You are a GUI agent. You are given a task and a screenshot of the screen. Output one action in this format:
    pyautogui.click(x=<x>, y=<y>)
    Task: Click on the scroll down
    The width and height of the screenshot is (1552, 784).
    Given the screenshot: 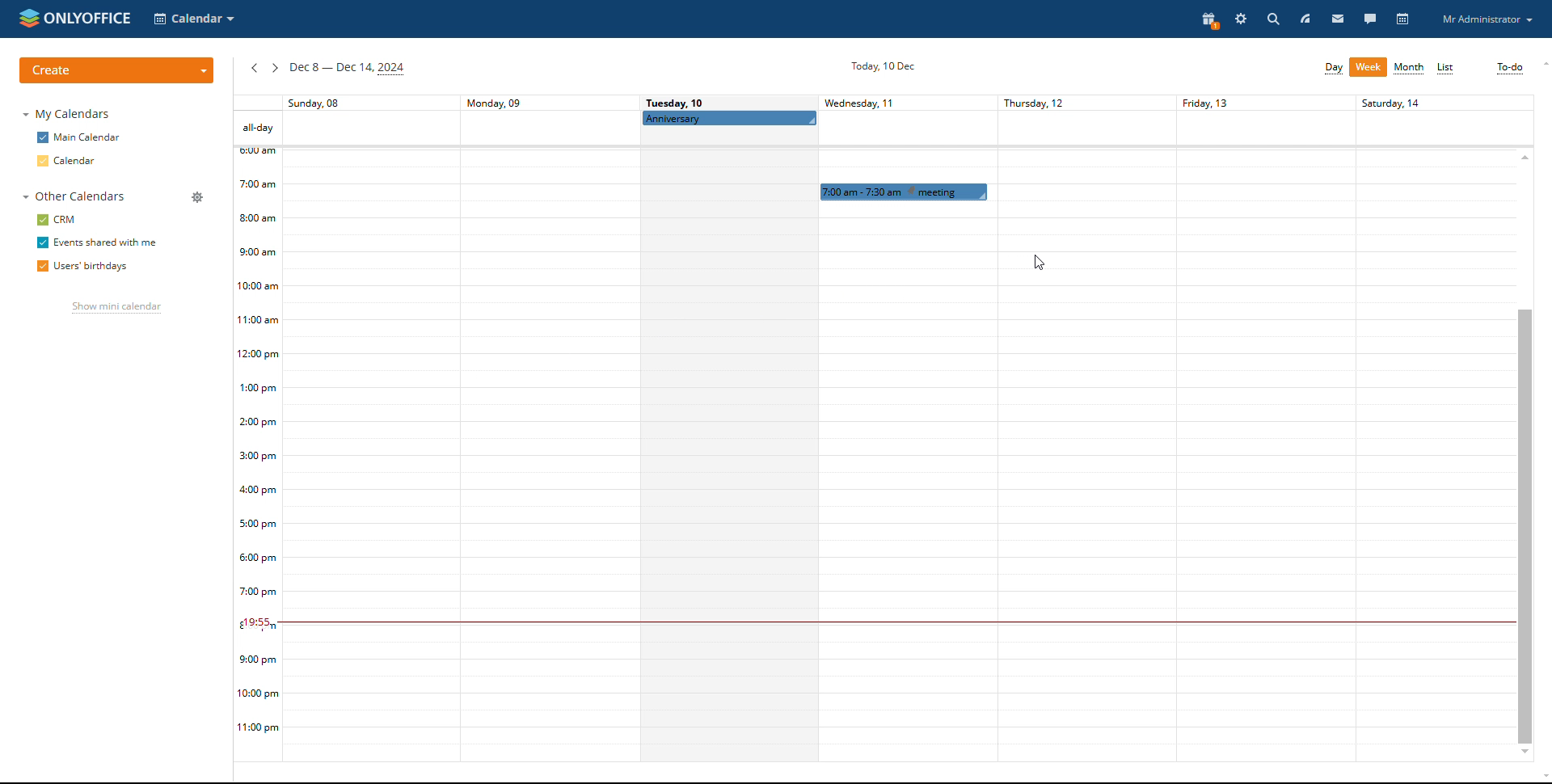 What is the action you would take?
    pyautogui.click(x=1525, y=753)
    